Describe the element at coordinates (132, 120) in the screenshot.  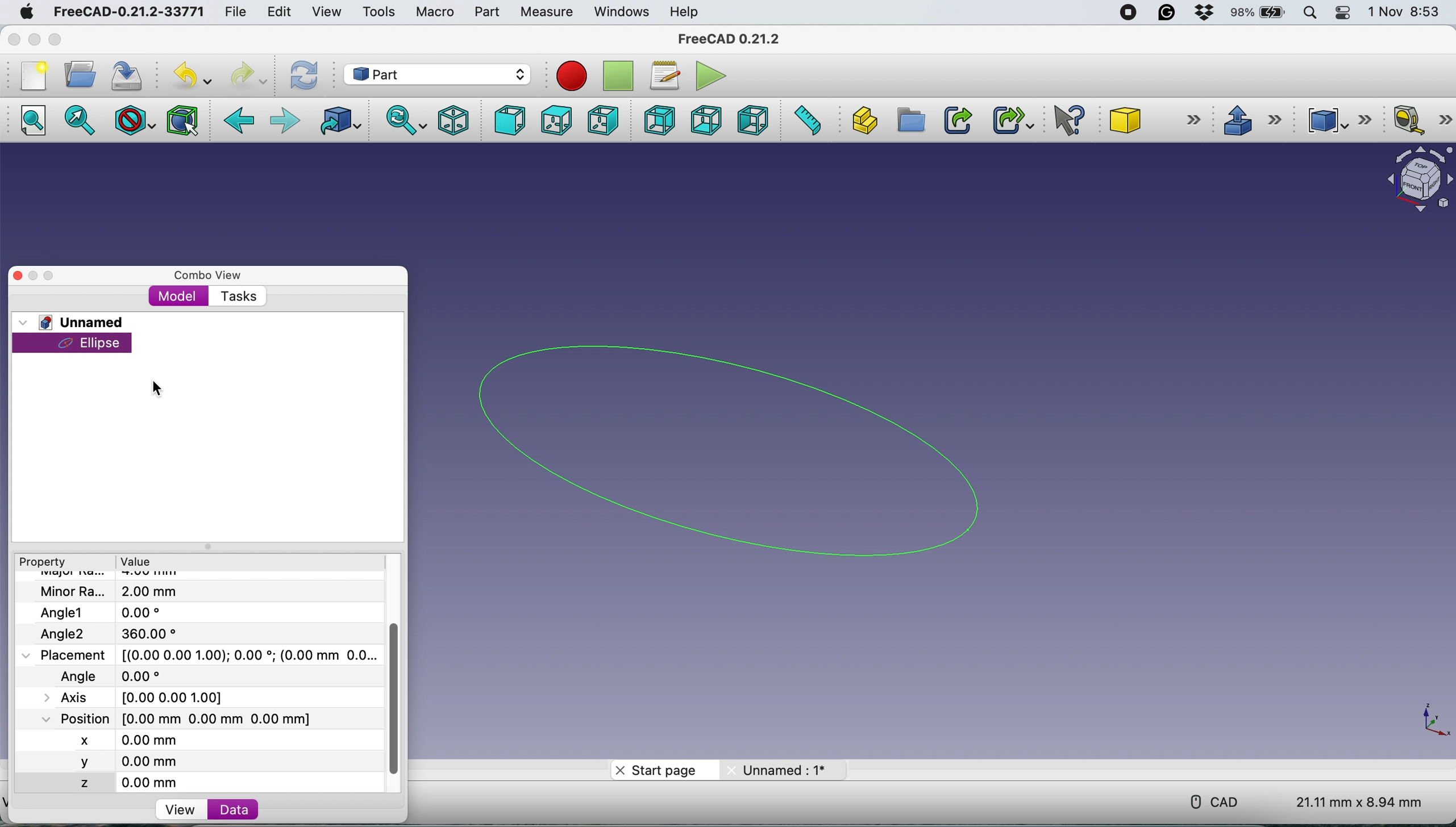
I see `draw style` at that location.